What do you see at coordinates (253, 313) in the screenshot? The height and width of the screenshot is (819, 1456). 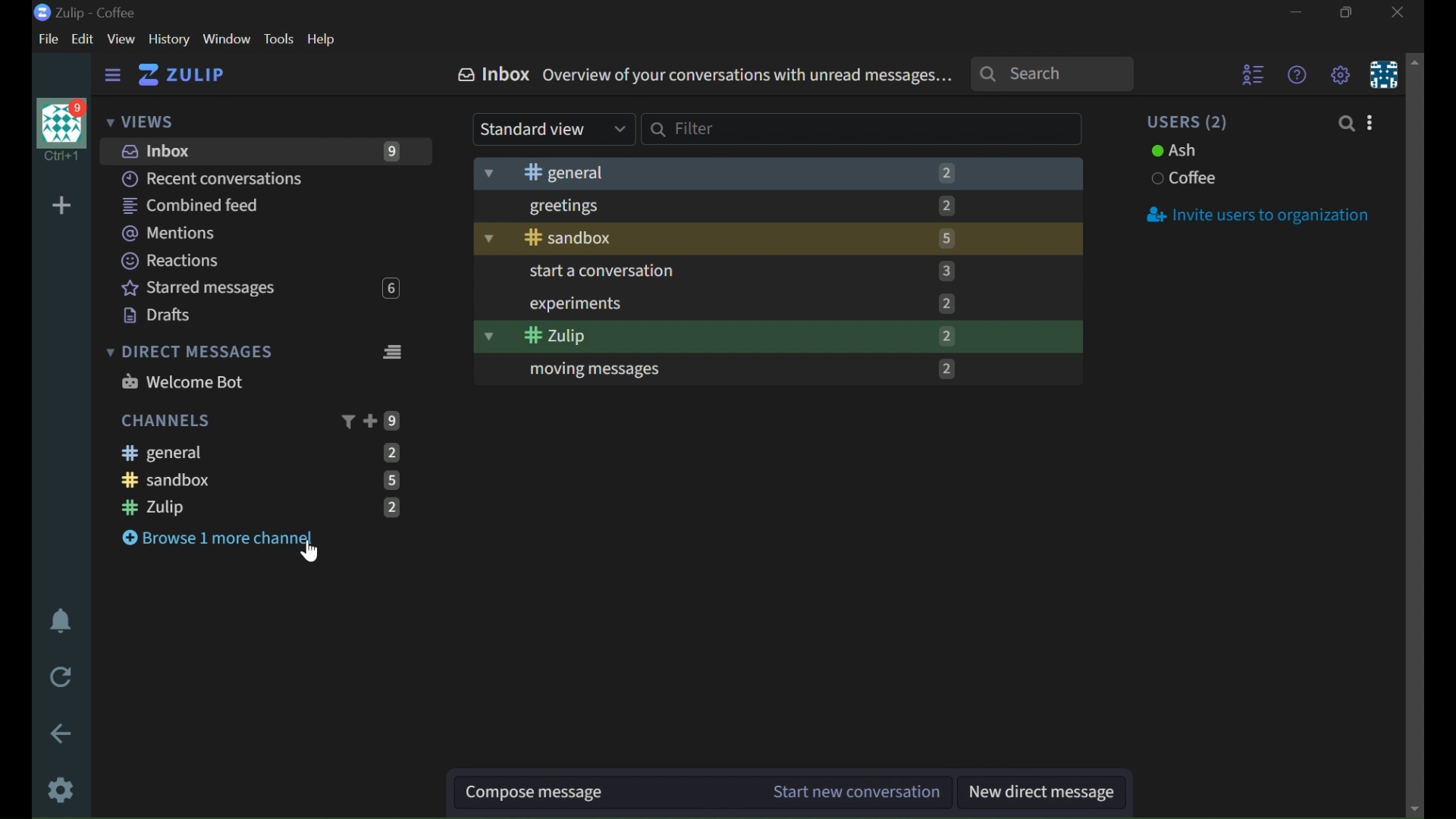 I see `DRAFTS` at bounding box center [253, 313].